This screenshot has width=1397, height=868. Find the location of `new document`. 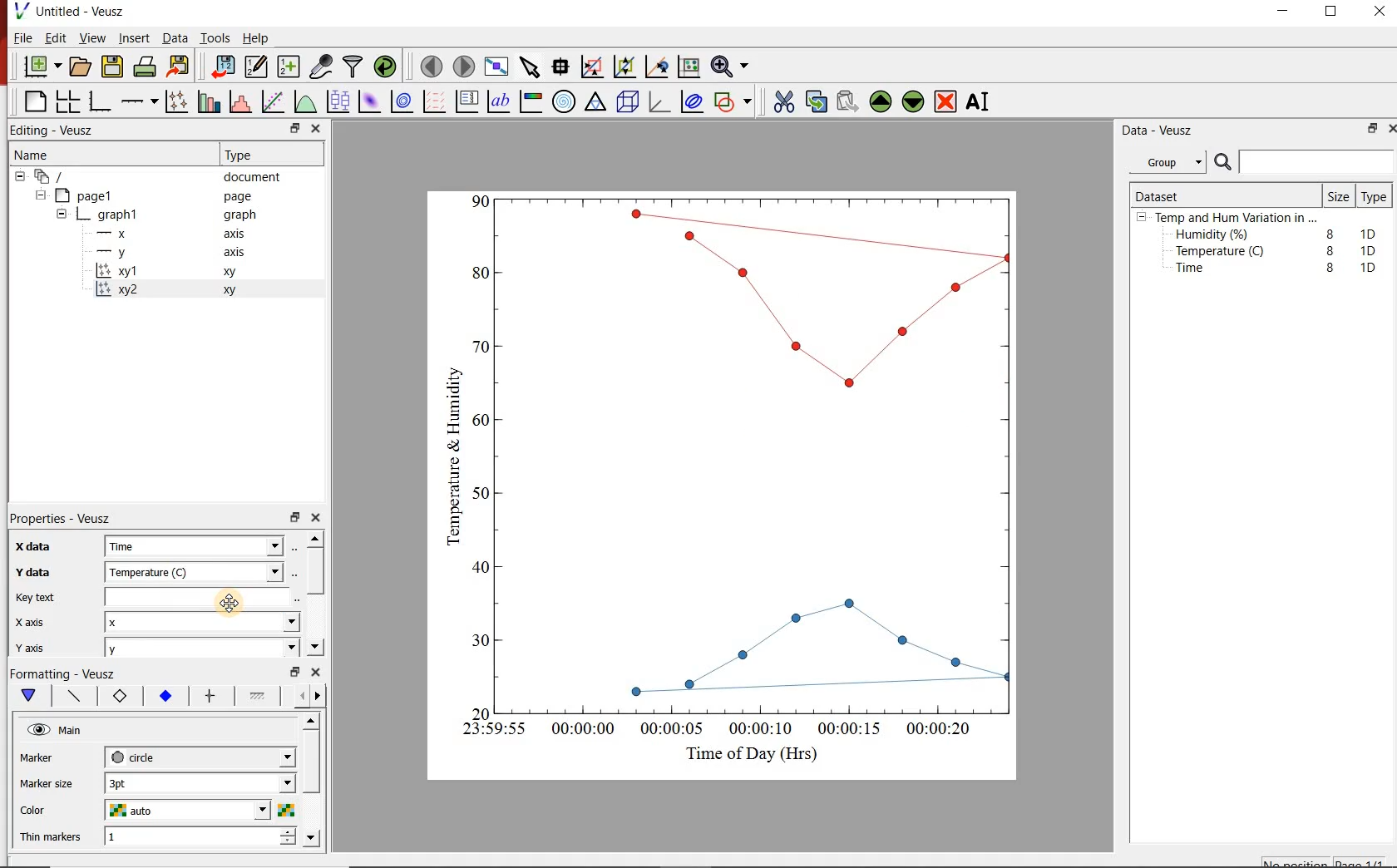

new document is located at coordinates (41, 67).